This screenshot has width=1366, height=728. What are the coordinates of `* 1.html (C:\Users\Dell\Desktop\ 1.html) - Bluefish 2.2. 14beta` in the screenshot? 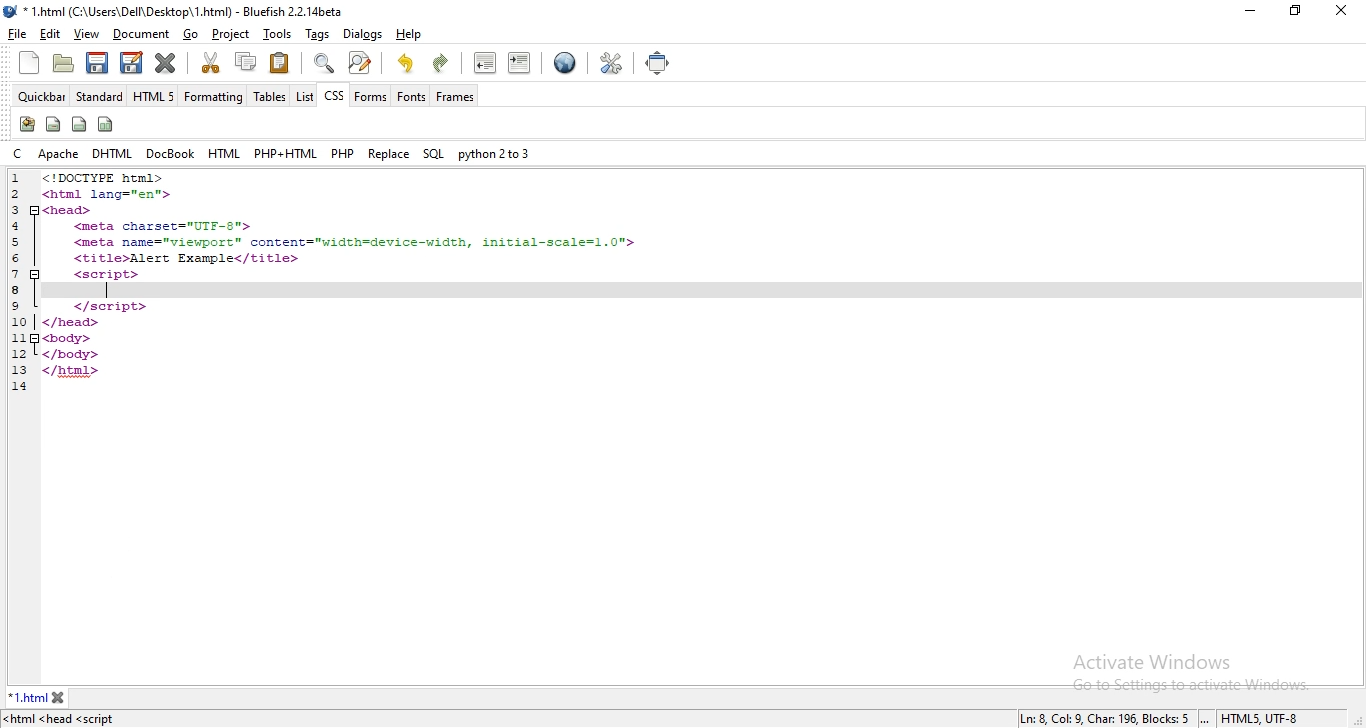 It's located at (190, 12).